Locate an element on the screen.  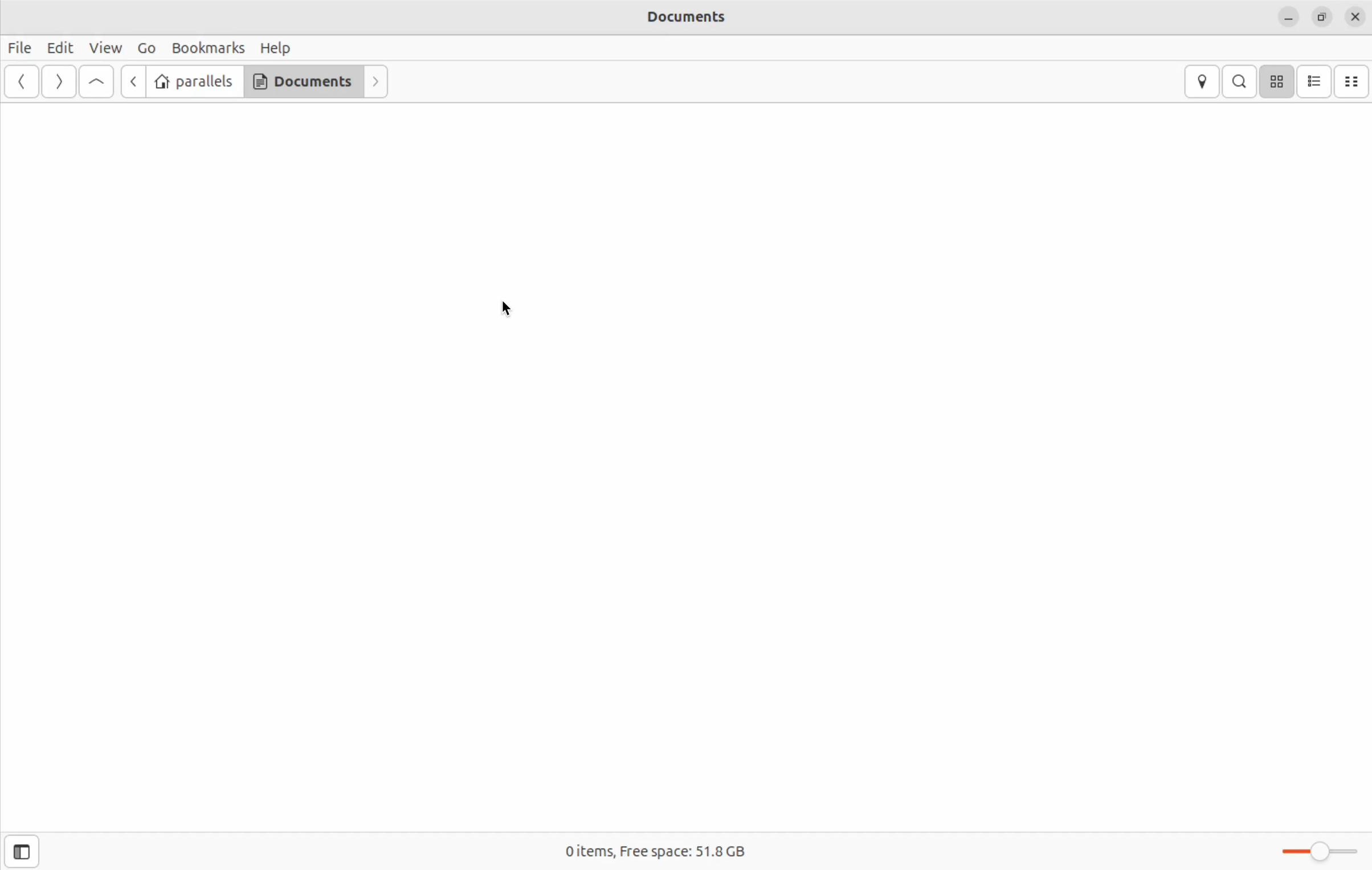
help is located at coordinates (276, 47).